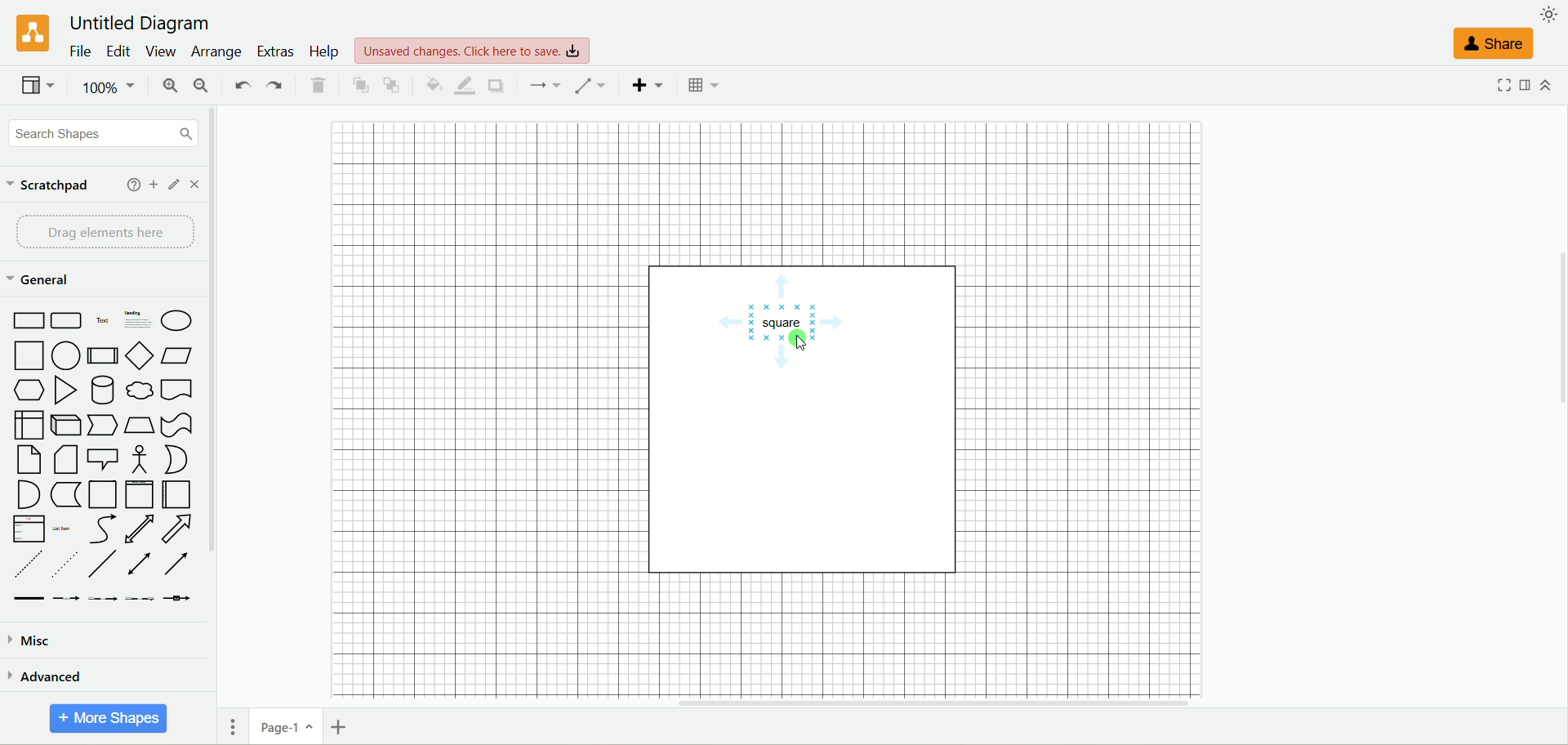  What do you see at coordinates (203, 87) in the screenshot?
I see `zoom out` at bounding box center [203, 87].